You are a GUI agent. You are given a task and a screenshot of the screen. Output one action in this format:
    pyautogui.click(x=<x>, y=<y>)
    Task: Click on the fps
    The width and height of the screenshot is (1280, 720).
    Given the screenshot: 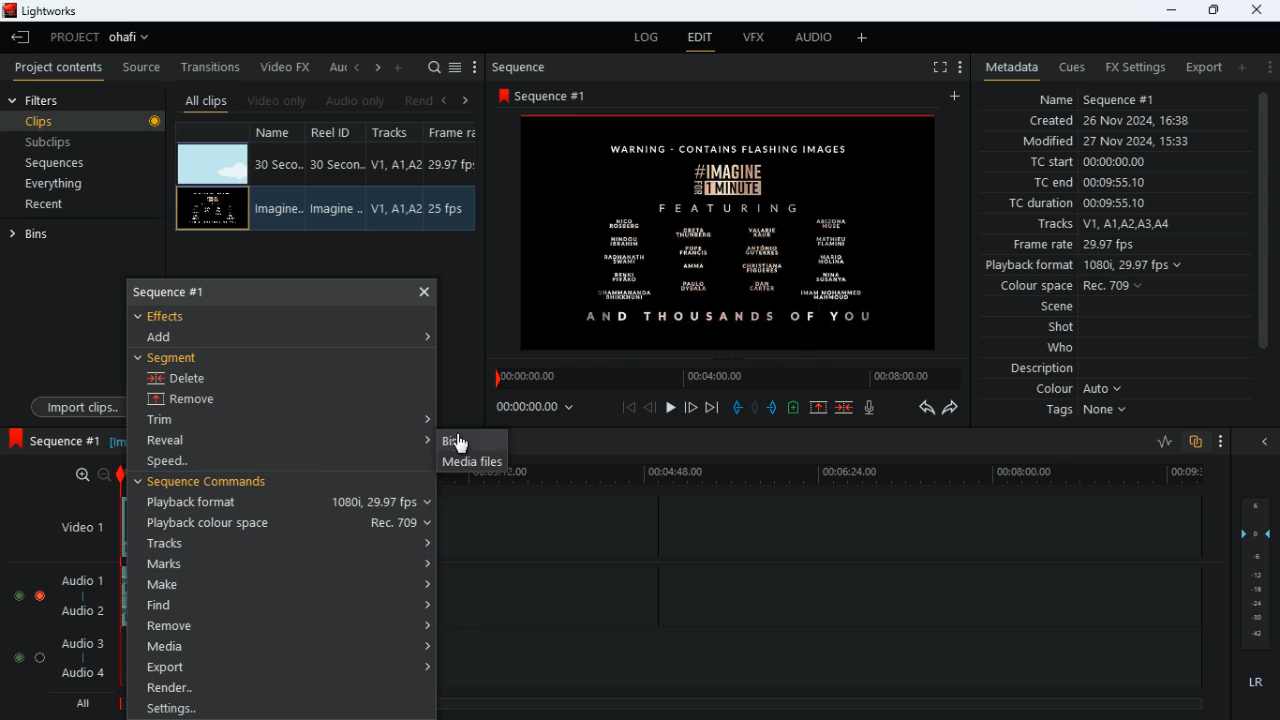 What is the action you would take?
    pyautogui.click(x=454, y=134)
    